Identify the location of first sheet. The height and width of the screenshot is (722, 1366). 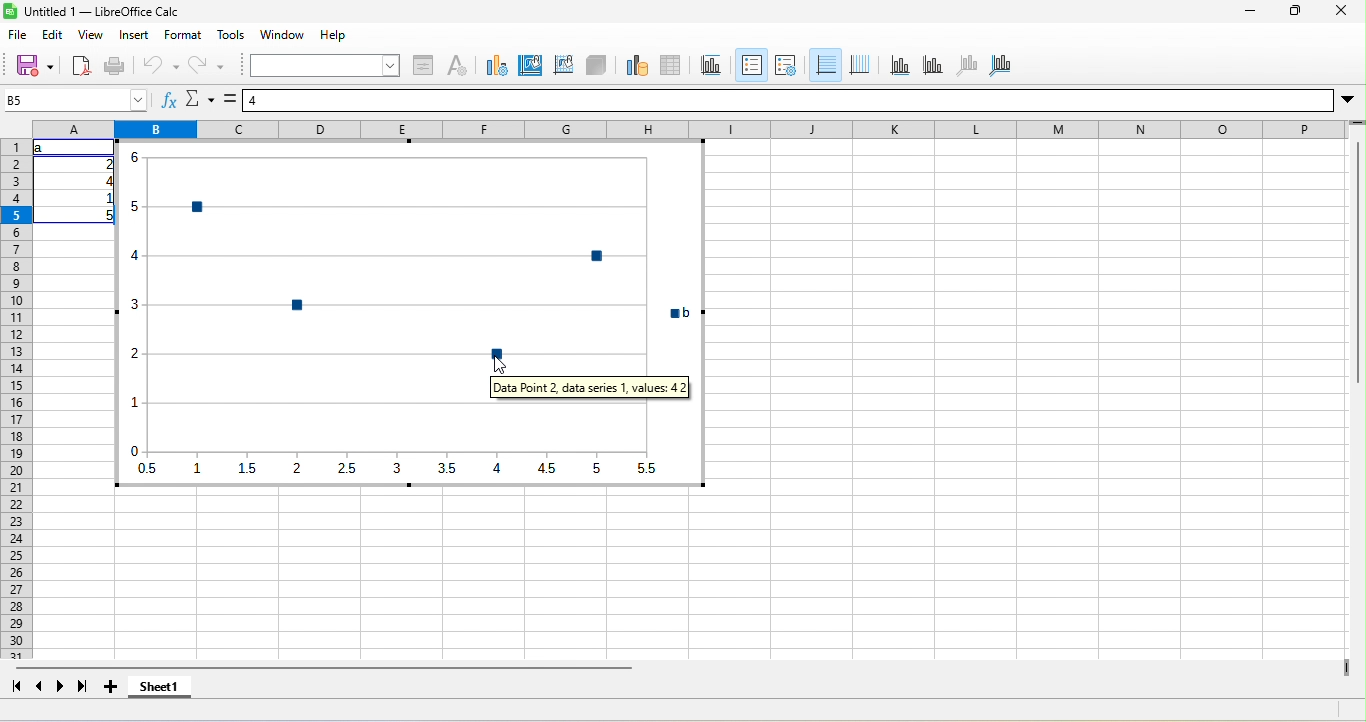
(16, 686).